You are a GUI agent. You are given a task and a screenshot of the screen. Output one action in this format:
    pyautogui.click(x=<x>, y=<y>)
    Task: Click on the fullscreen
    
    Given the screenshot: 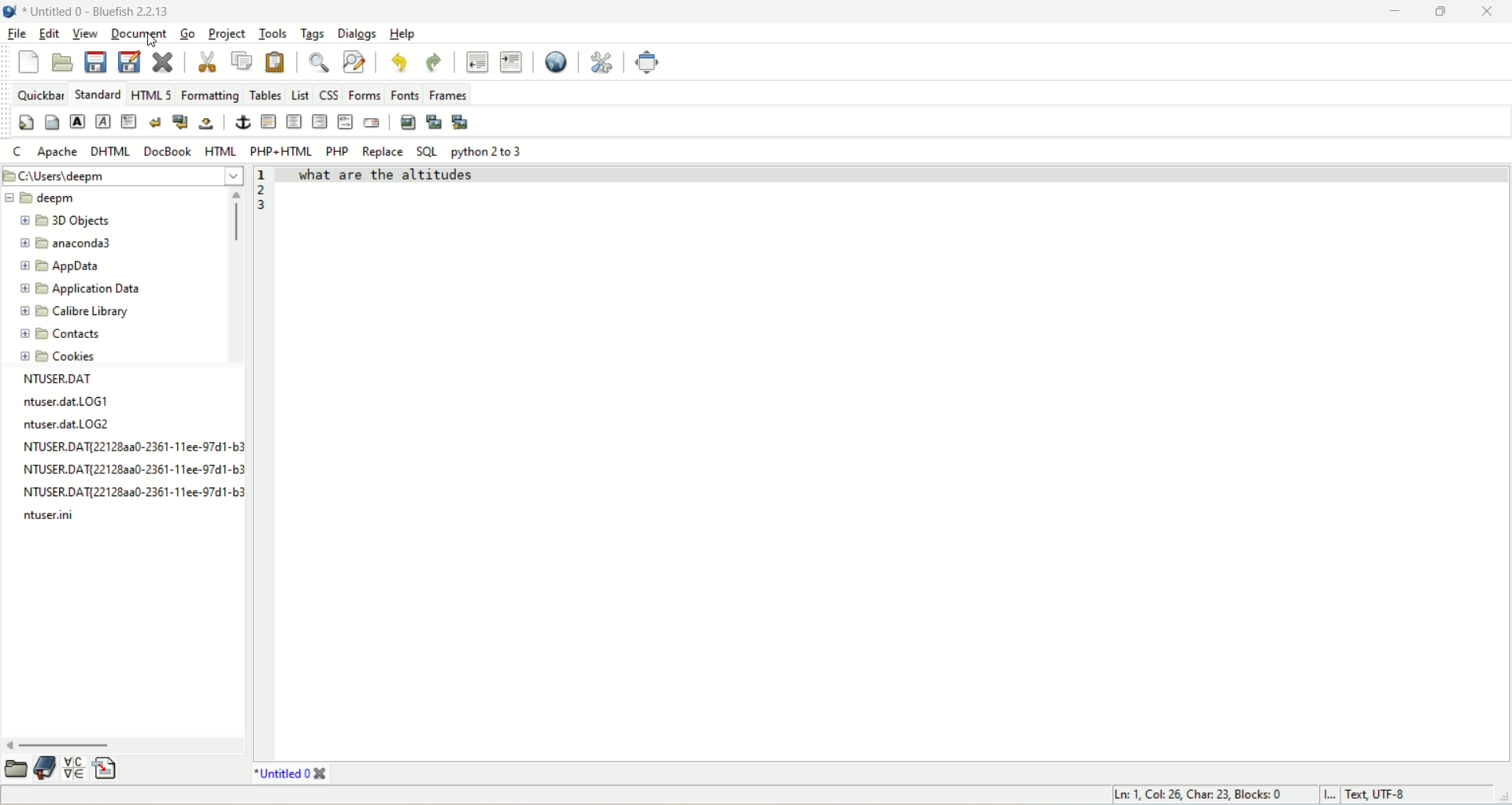 What is the action you would take?
    pyautogui.click(x=648, y=62)
    